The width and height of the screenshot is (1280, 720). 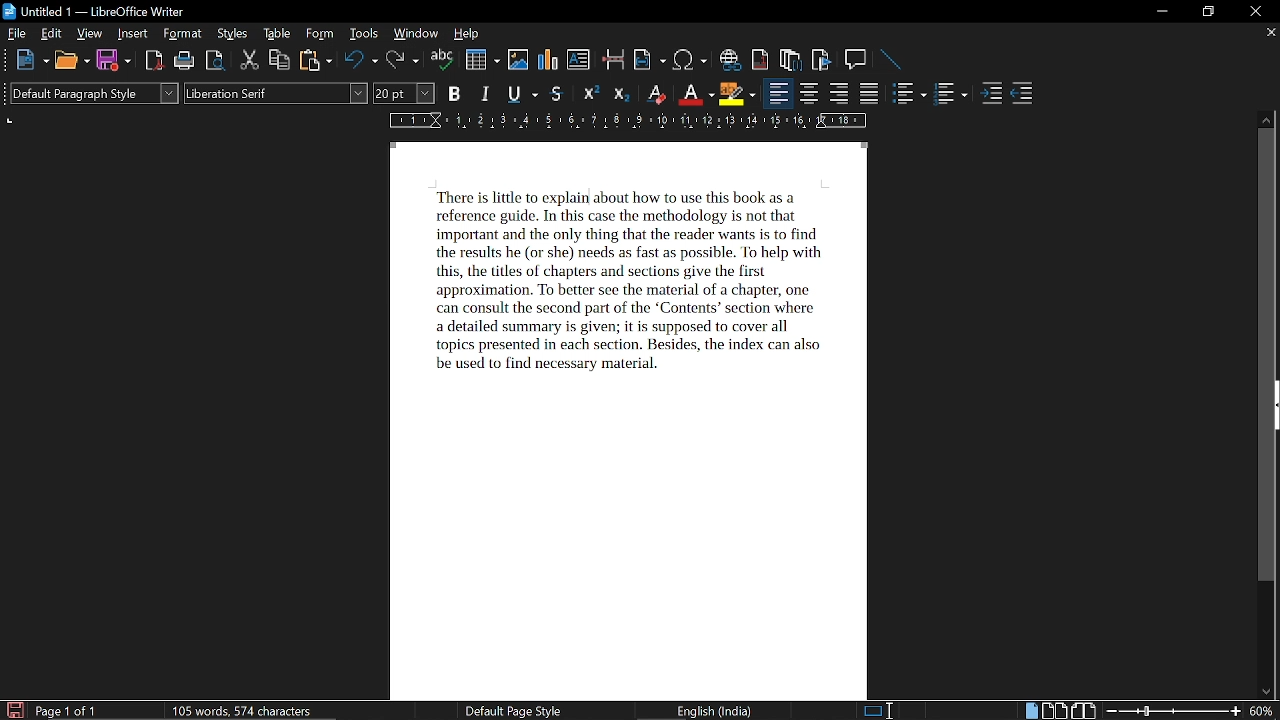 What do you see at coordinates (690, 60) in the screenshot?
I see `insert symbol` at bounding box center [690, 60].